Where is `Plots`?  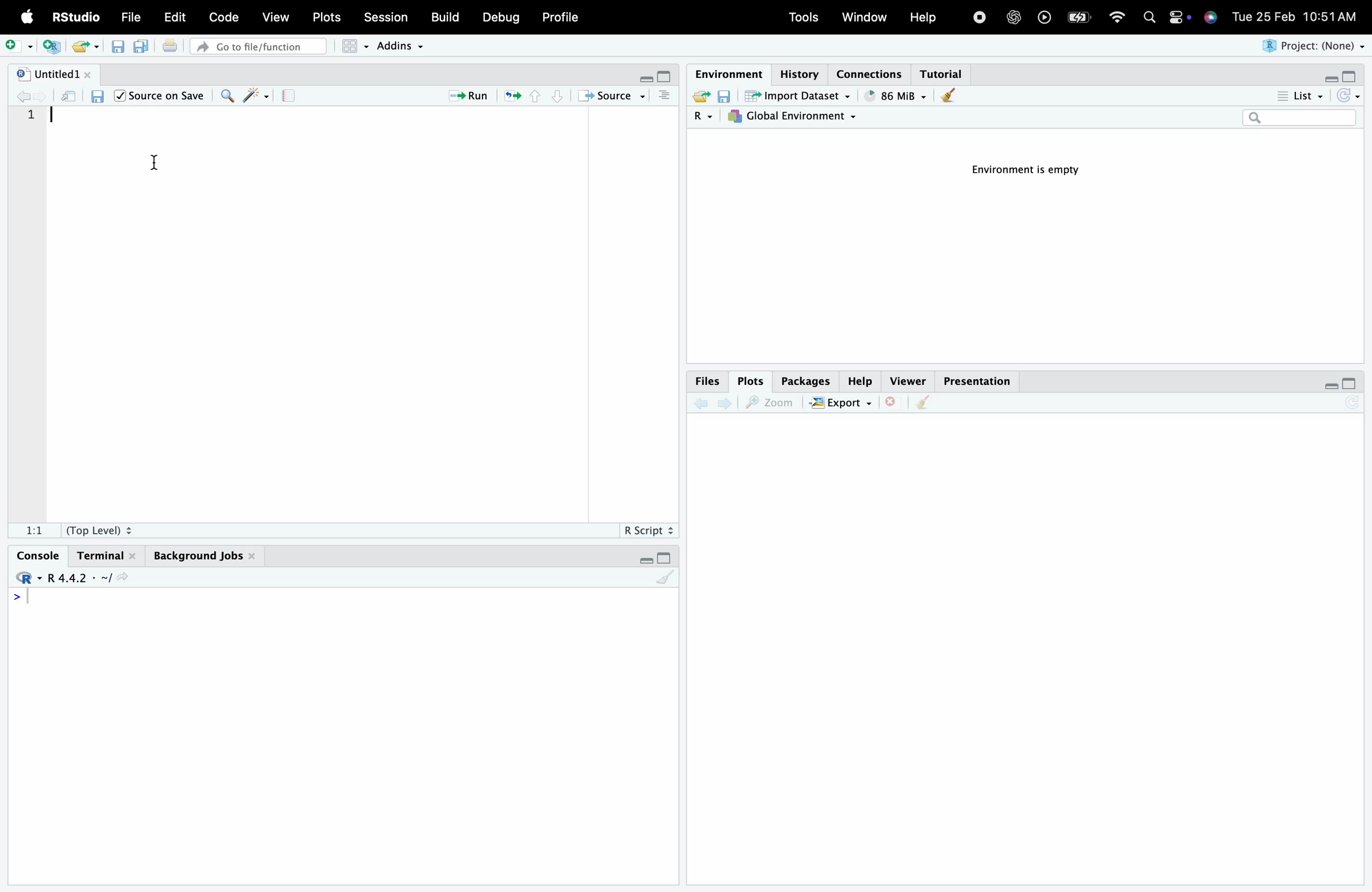 Plots is located at coordinates (330, 17).